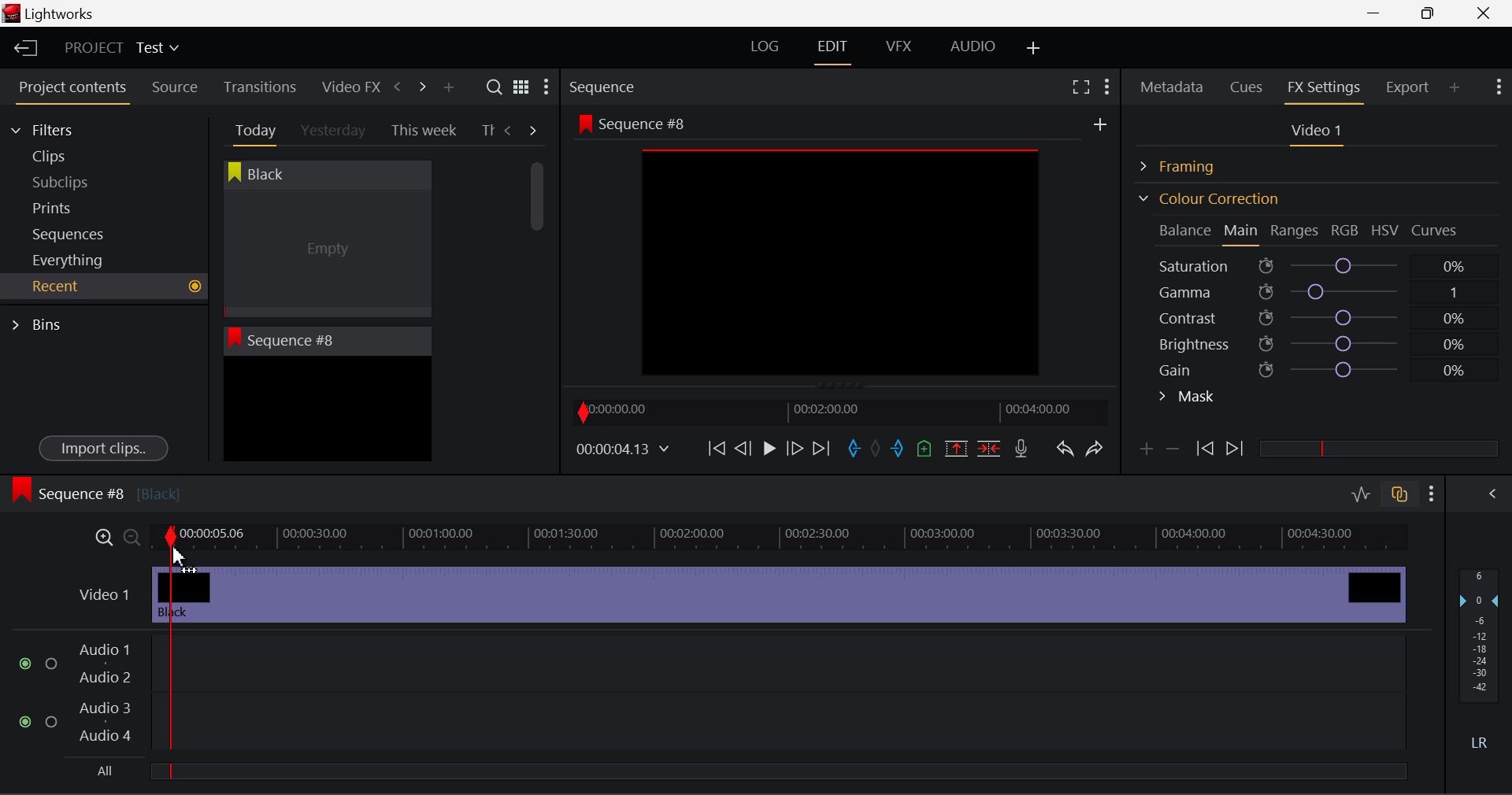 This screenshot has width=1512, height=795. What do you see at coordinates (1332, 367) in the screenshot?
I see `Gain` at bounding box center [1332, 367].